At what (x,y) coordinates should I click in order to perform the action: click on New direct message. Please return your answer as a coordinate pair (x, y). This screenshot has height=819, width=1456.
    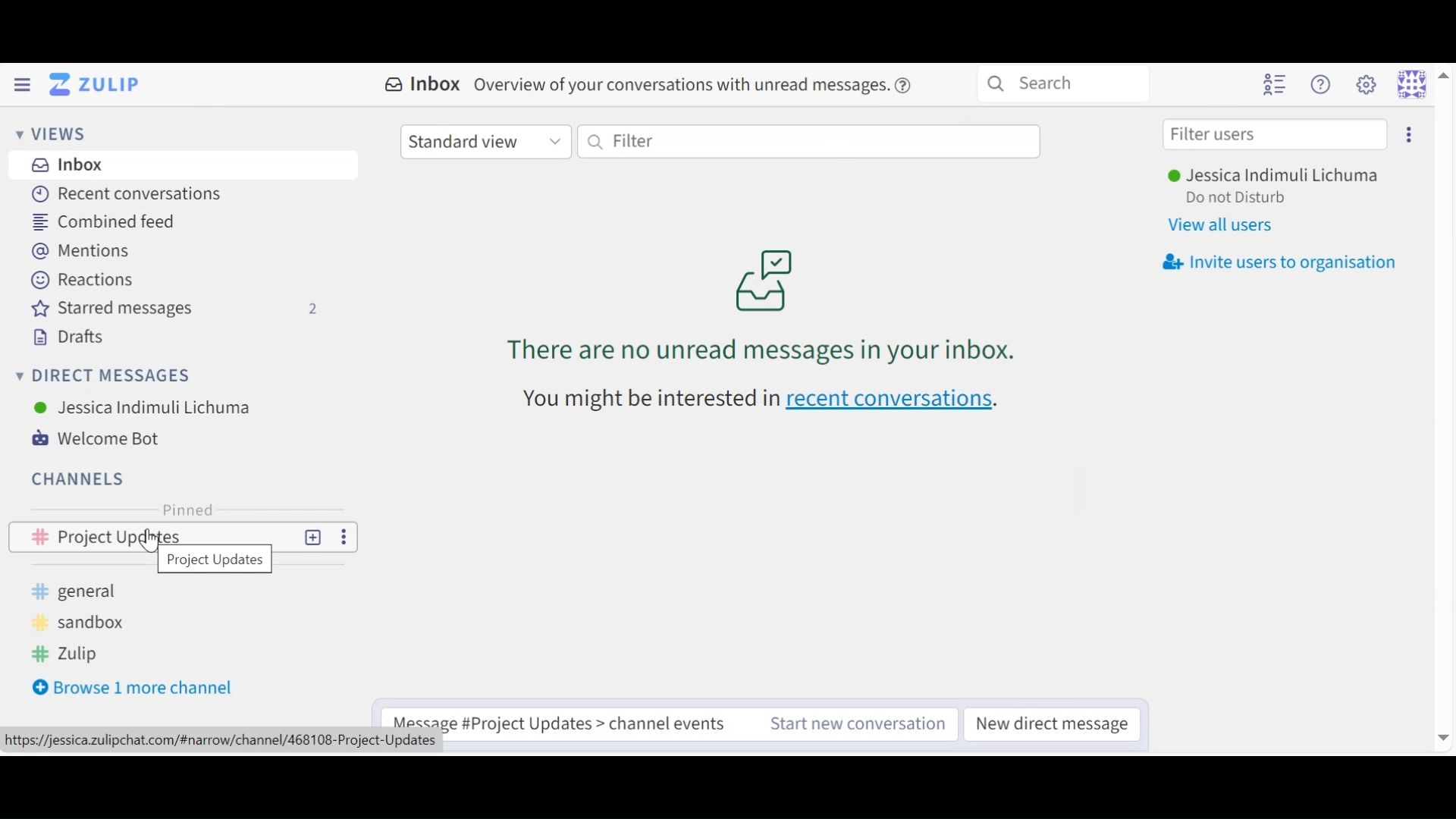
    Looking at the image, I should click on (1054, 725).